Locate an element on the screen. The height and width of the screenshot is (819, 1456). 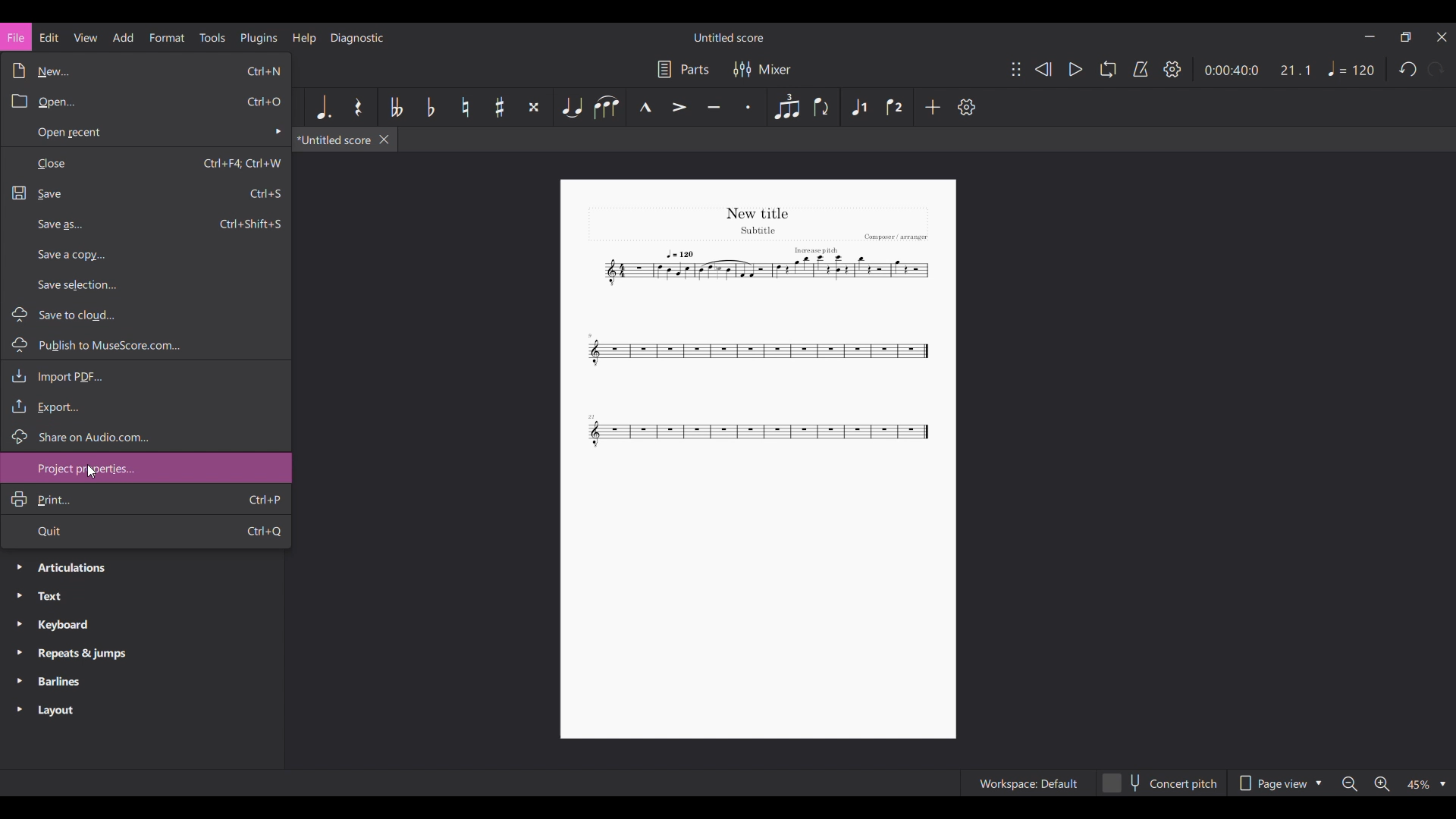
New is located at coordinates (145, 71).